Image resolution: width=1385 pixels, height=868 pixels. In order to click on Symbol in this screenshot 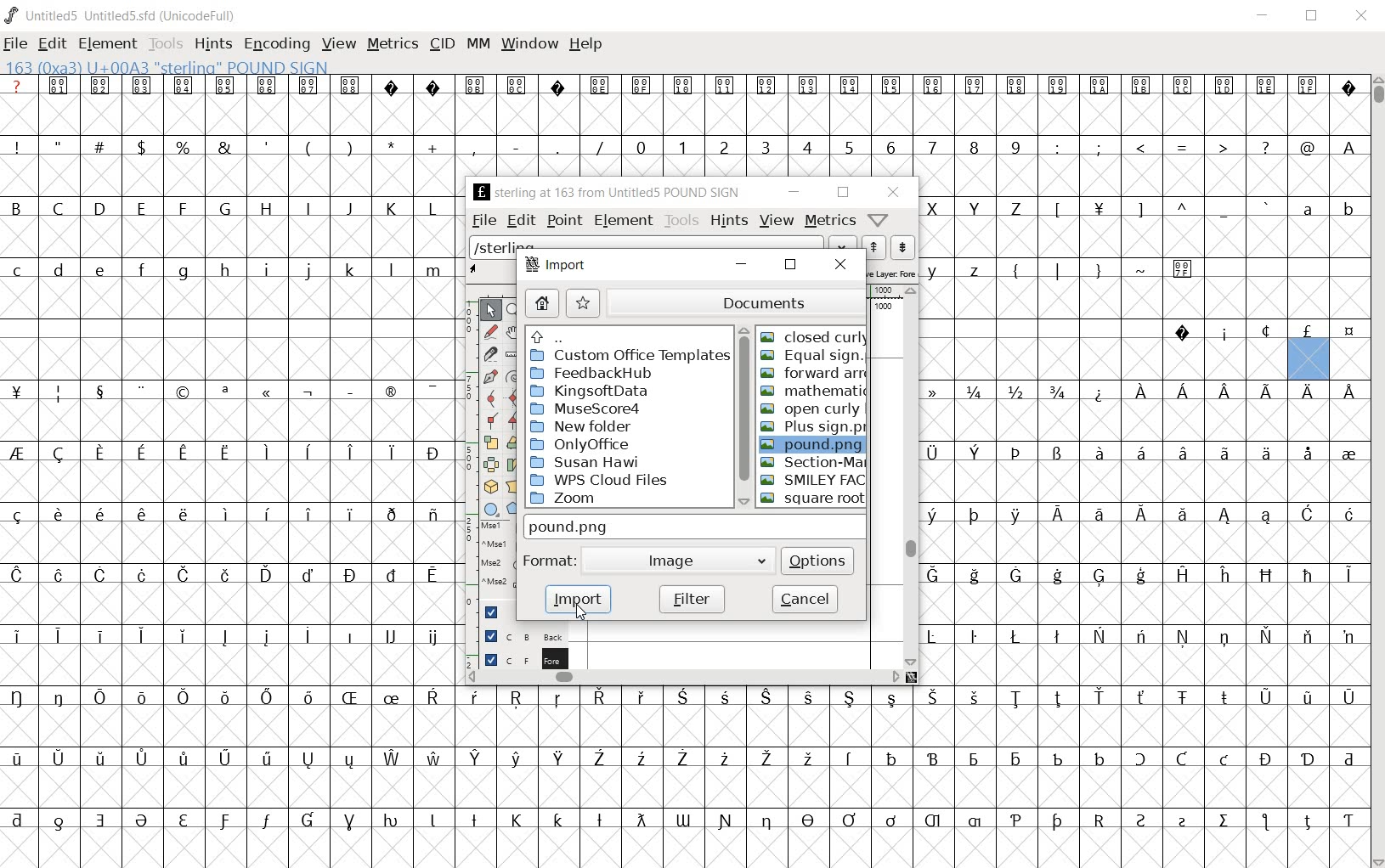, I will do `click(267, 759)`.